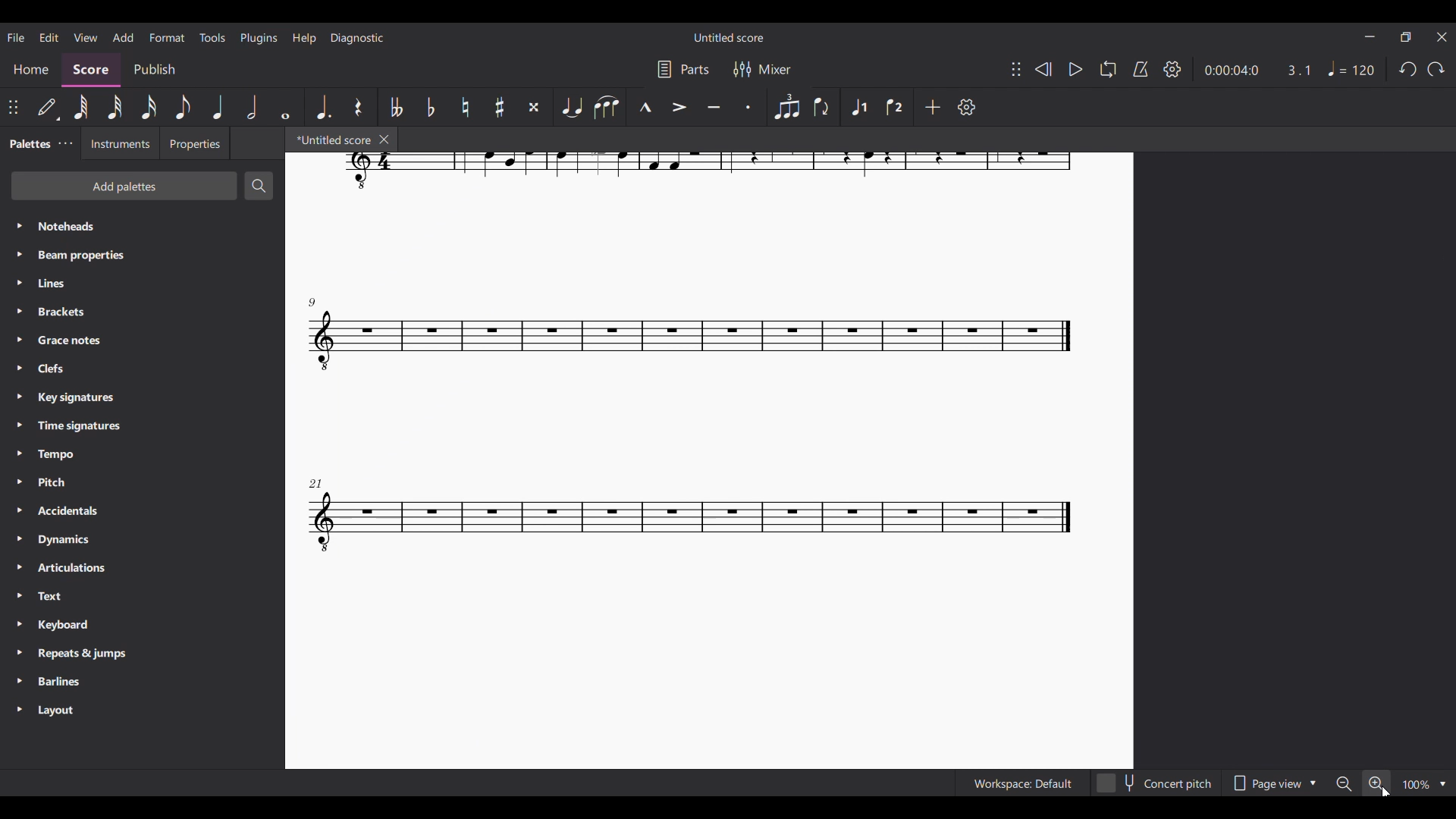 The image size is (1456, 819). Describe the element at coordinates (259, 185) in the screenshot. I see `Search` at that location.